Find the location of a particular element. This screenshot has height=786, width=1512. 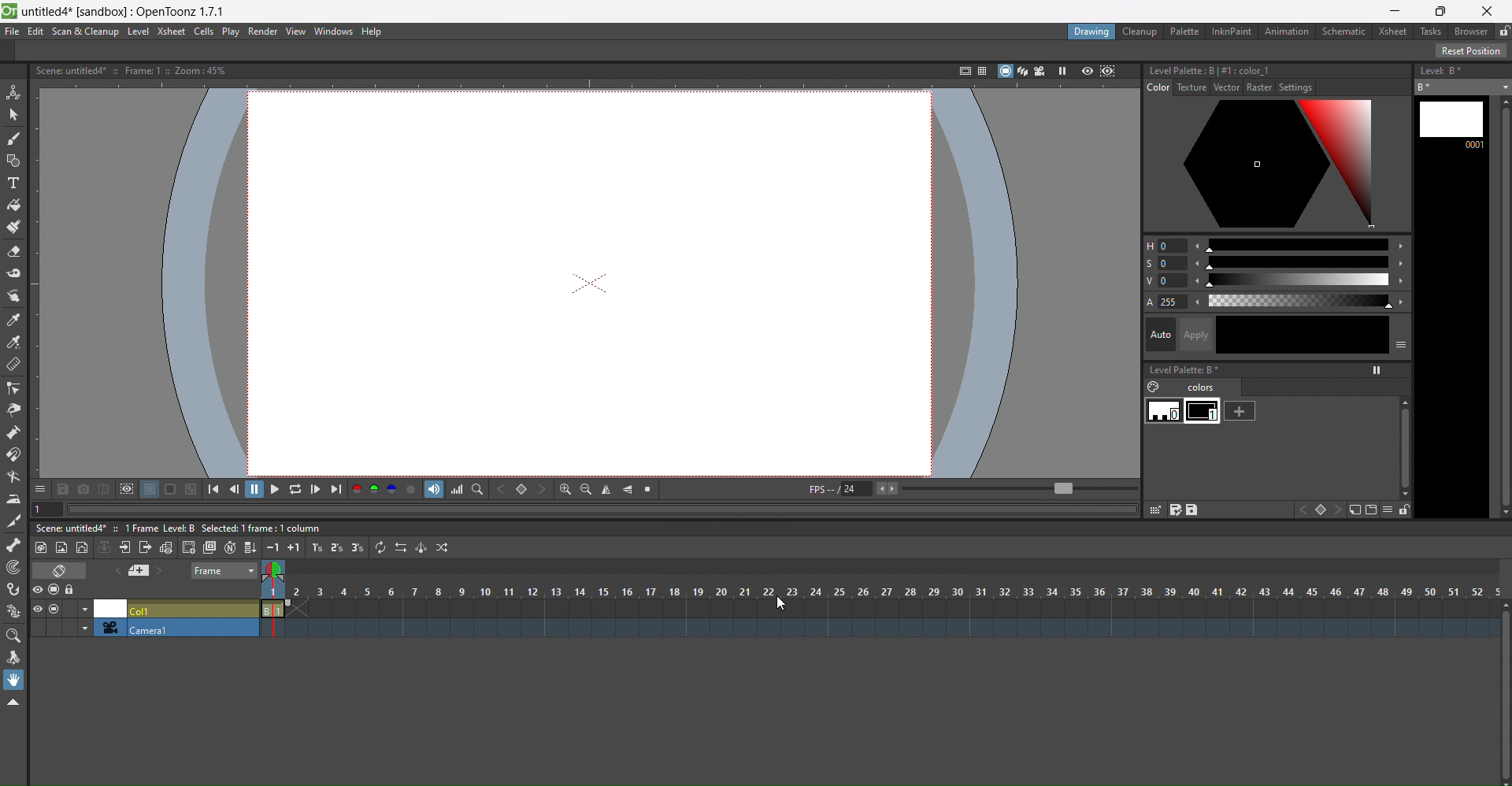

Scroll bar is located at coordinates (1503, 307).